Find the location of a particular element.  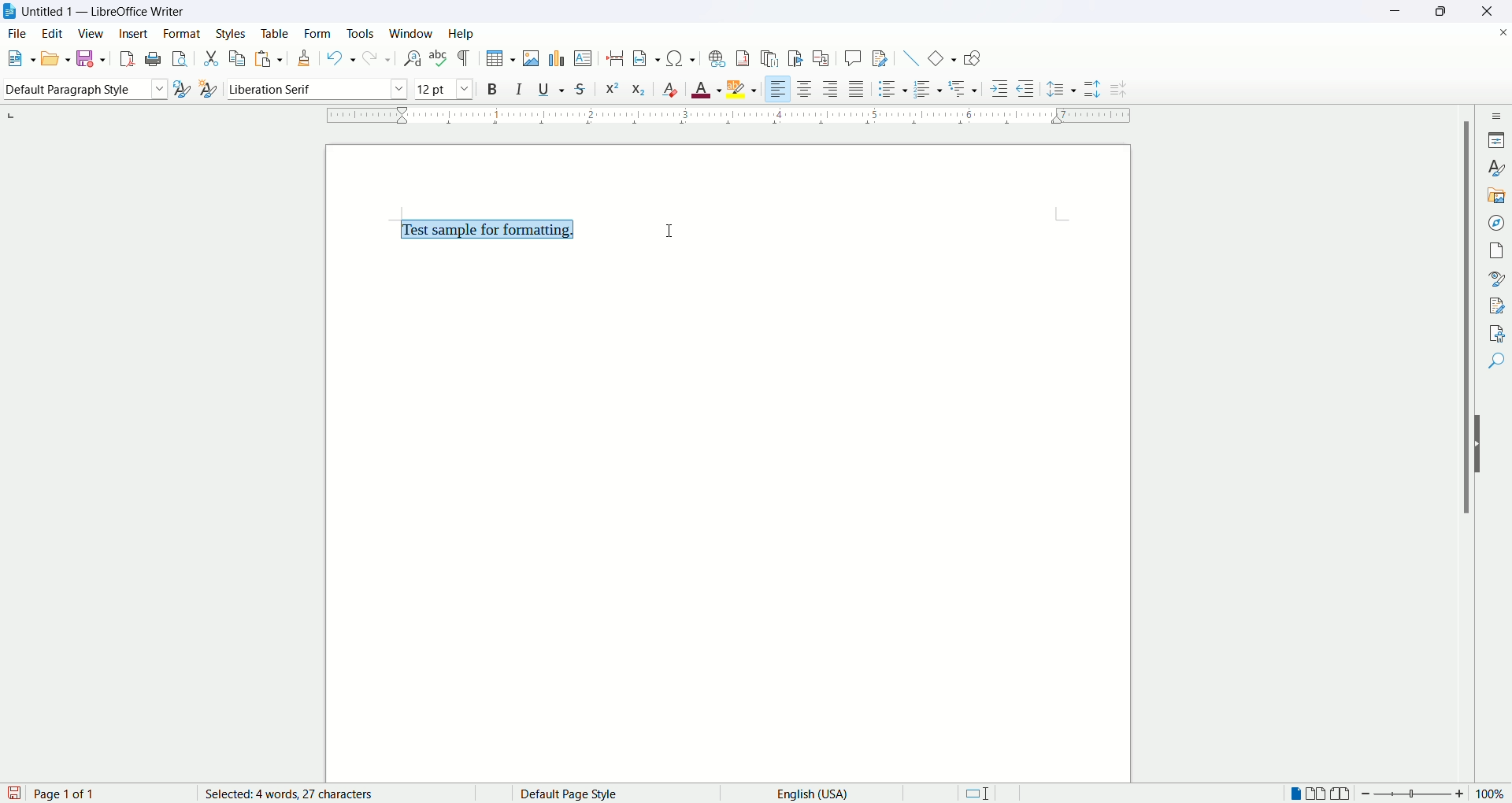

navigator is located at coordinates (1495, 225).